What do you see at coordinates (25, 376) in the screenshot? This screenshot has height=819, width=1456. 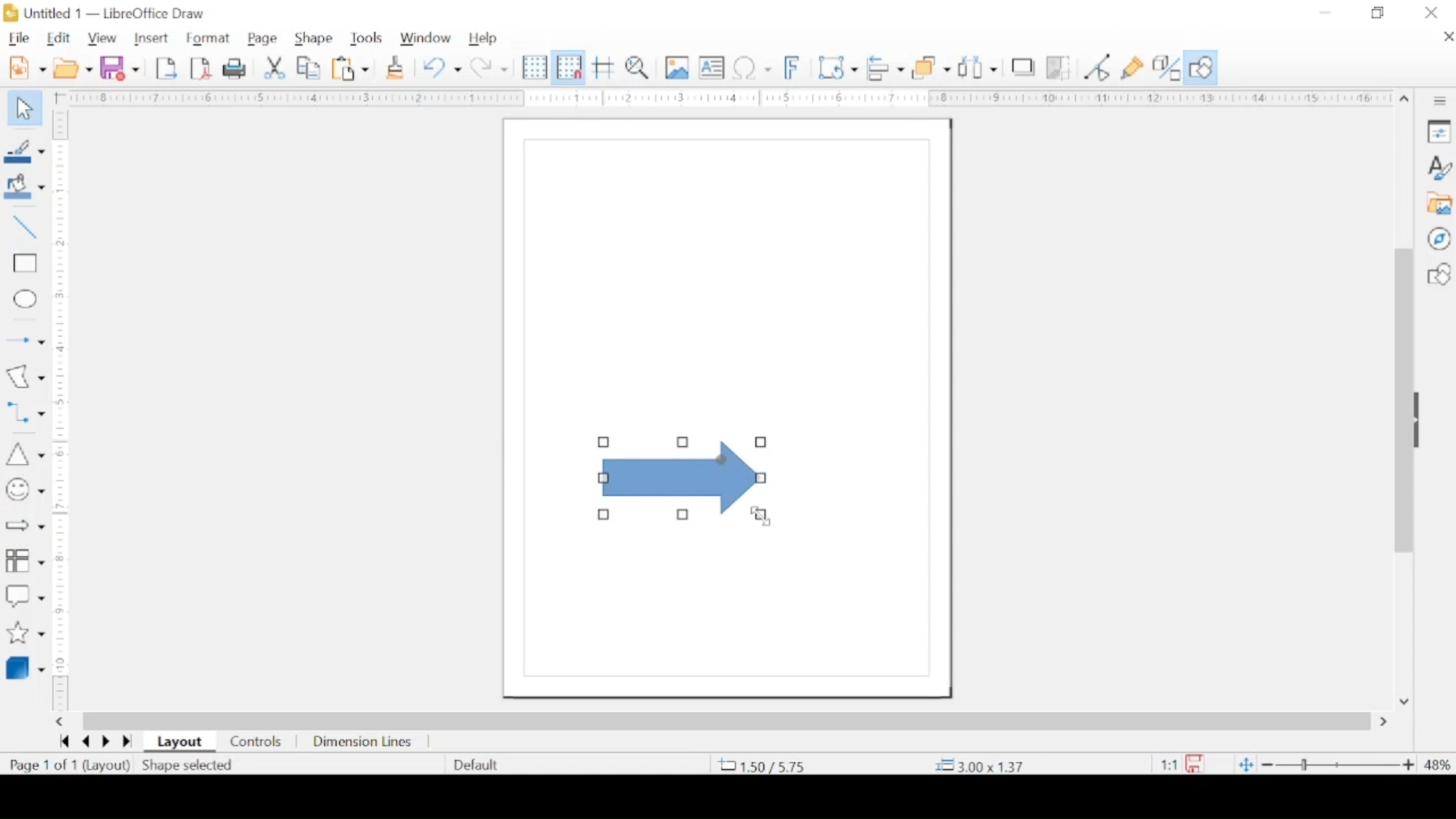 I see `insert curves & polygons` at bounding box center [25, 376].